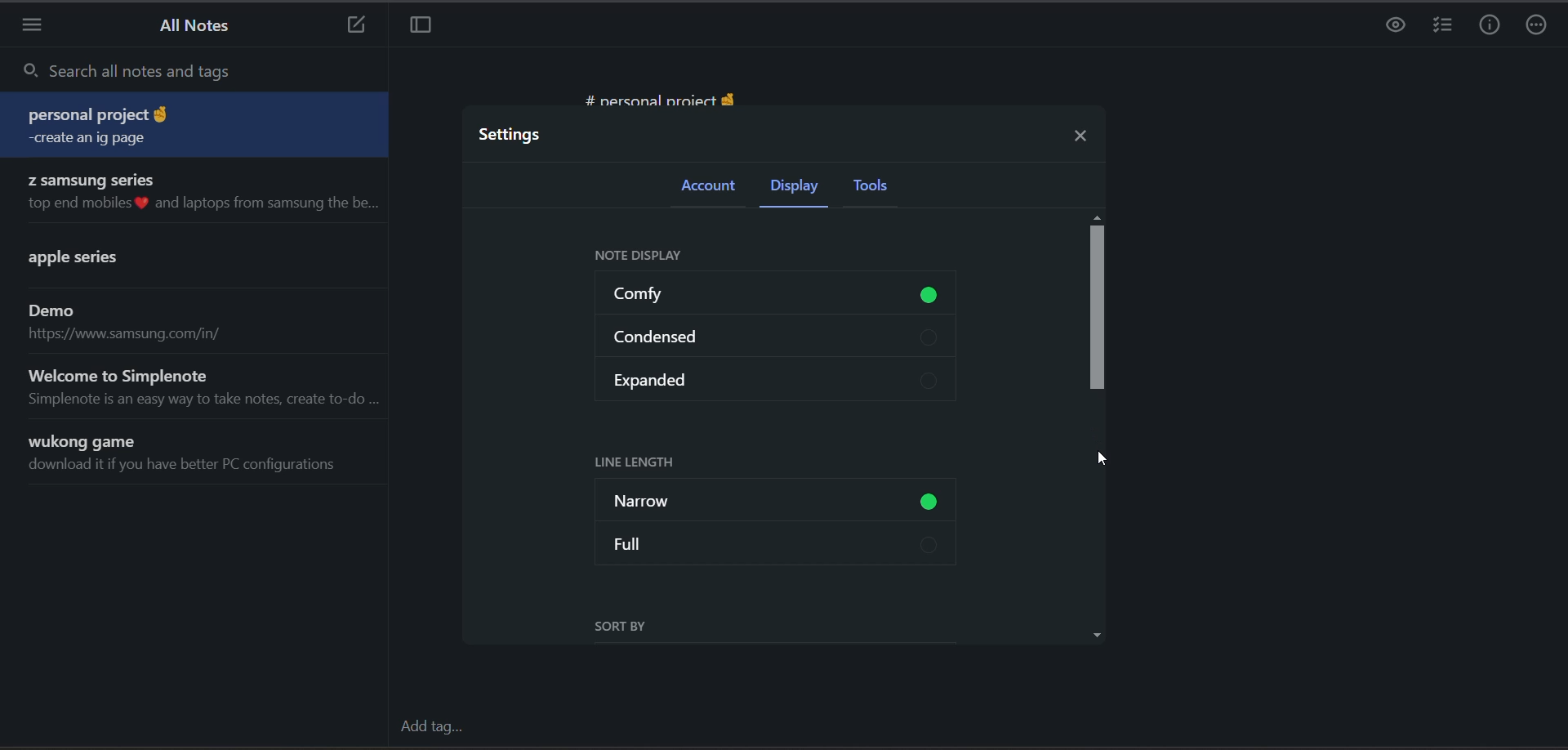  Describe the element at coordinates (190, 27) in the screenshot. I see `all notes` at that location.